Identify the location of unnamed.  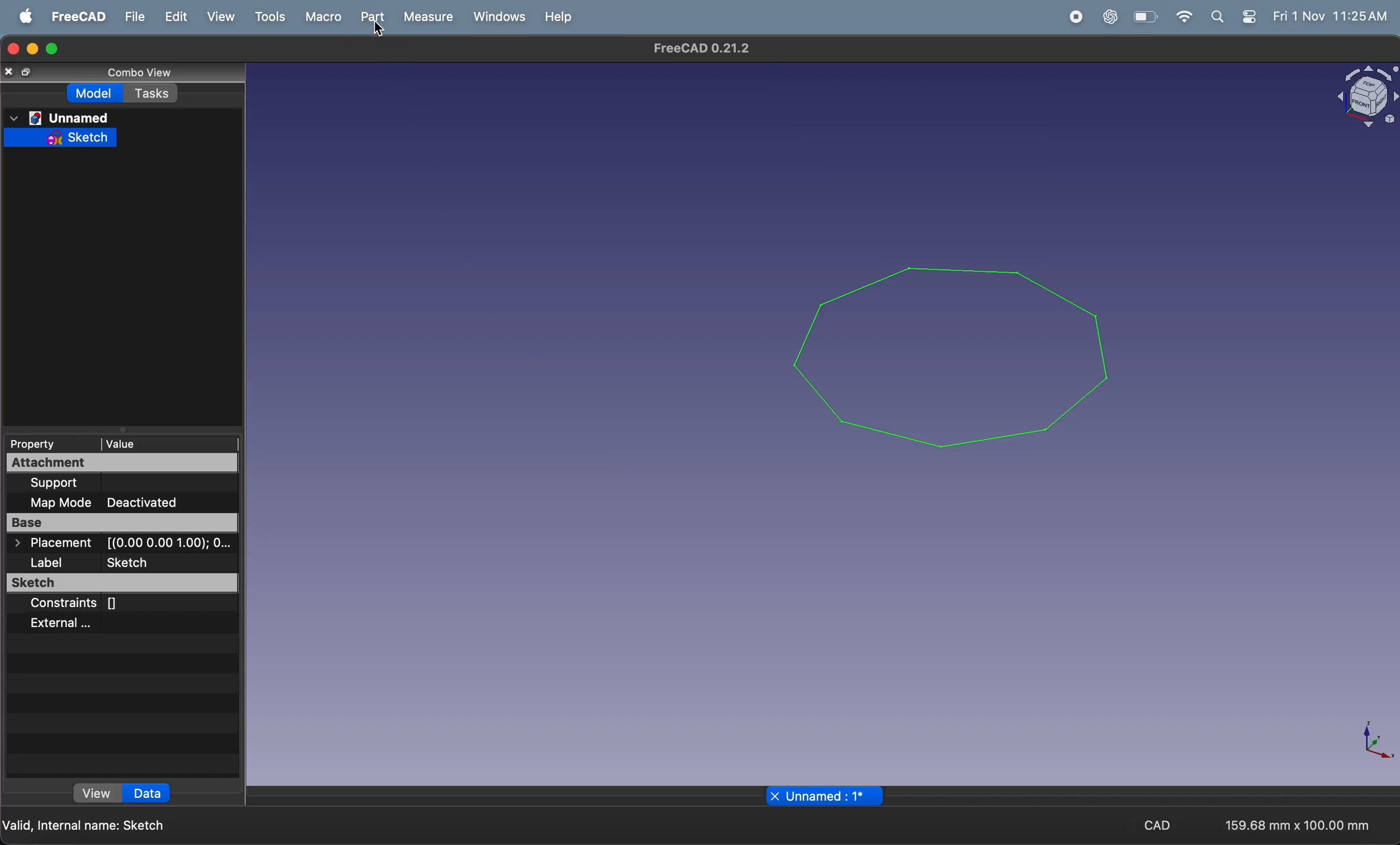
(59, 118).